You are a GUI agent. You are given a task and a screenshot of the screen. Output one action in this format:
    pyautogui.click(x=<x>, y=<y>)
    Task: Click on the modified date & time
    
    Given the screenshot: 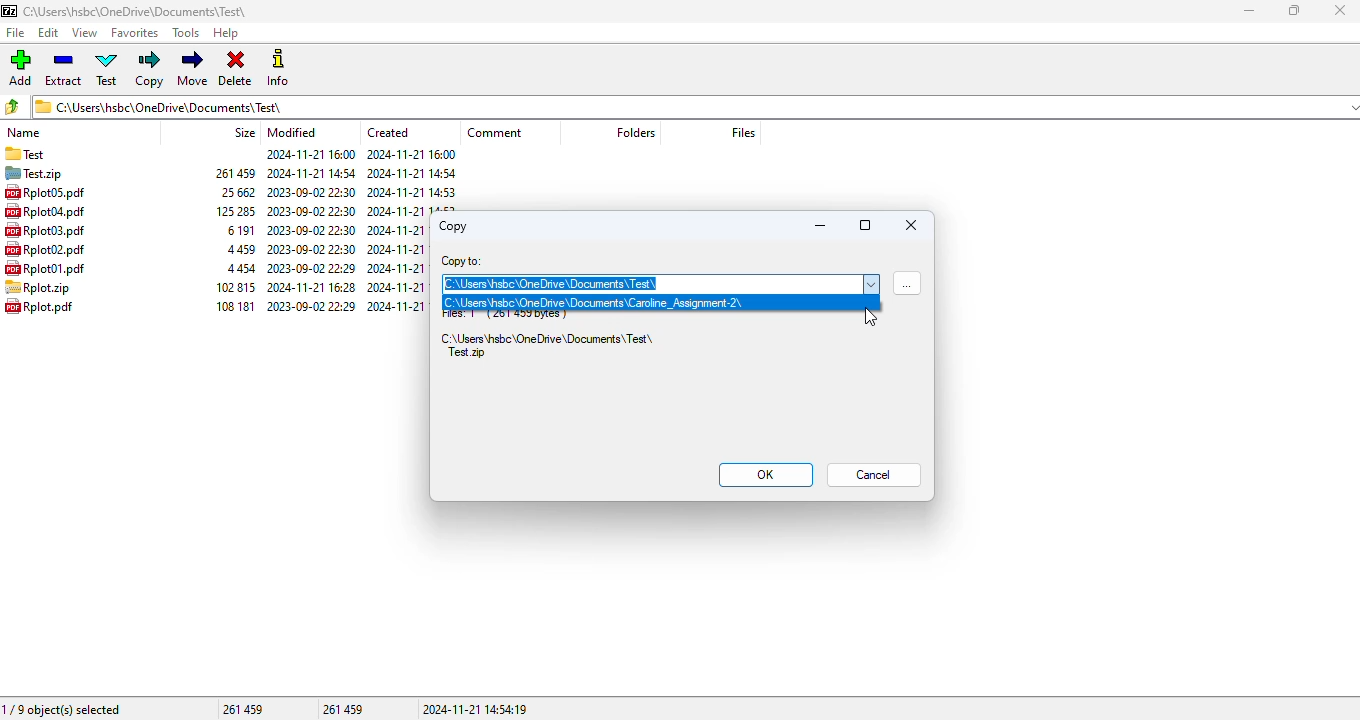 What is the action you would take?
    pyautogui.click(x=312, y=248)
    